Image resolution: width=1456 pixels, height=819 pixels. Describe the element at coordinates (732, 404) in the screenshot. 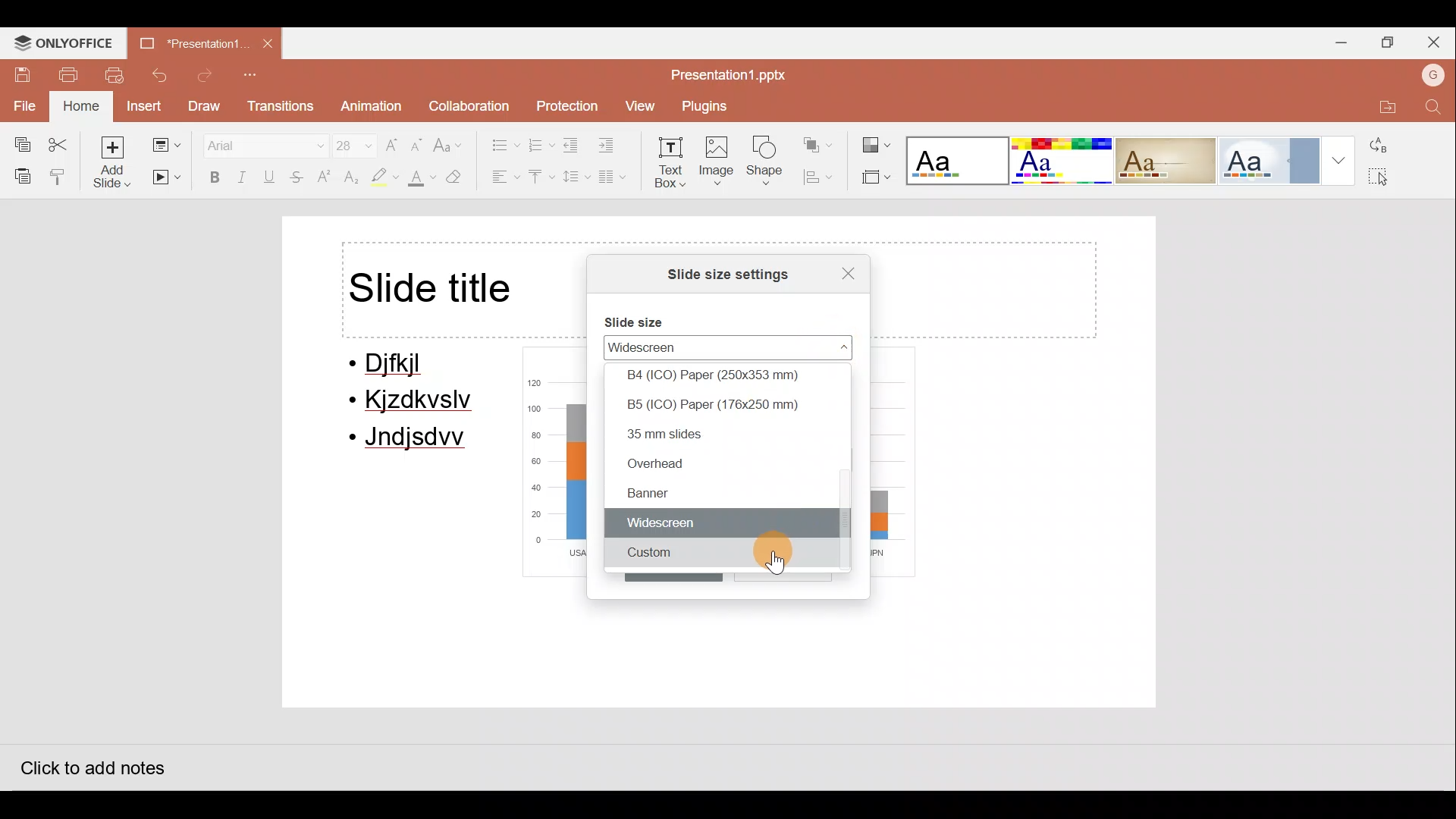

I see `B5 (ICO) Paper (176*250 mm)` at that location.